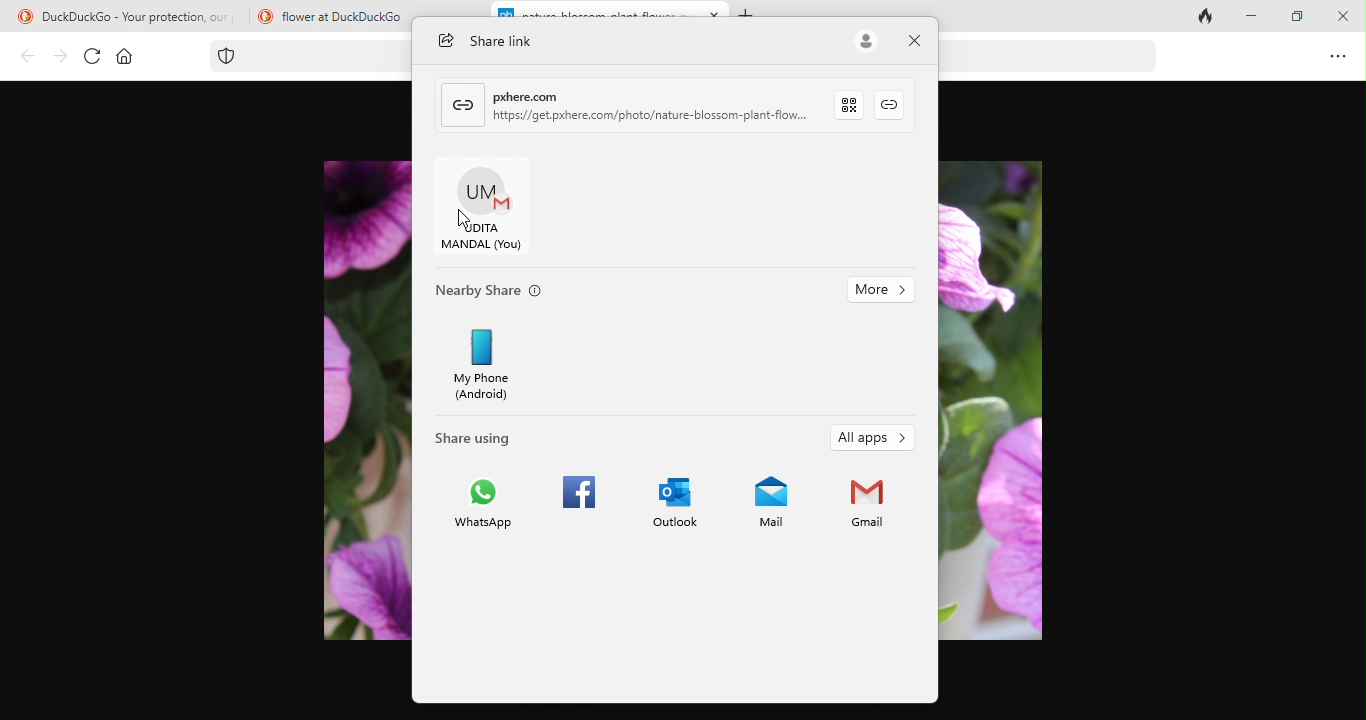  Describe the element at coordinates (144, 17) in the screenshot. I see `DuckDuckGo - Your protection, our priority` at that location.